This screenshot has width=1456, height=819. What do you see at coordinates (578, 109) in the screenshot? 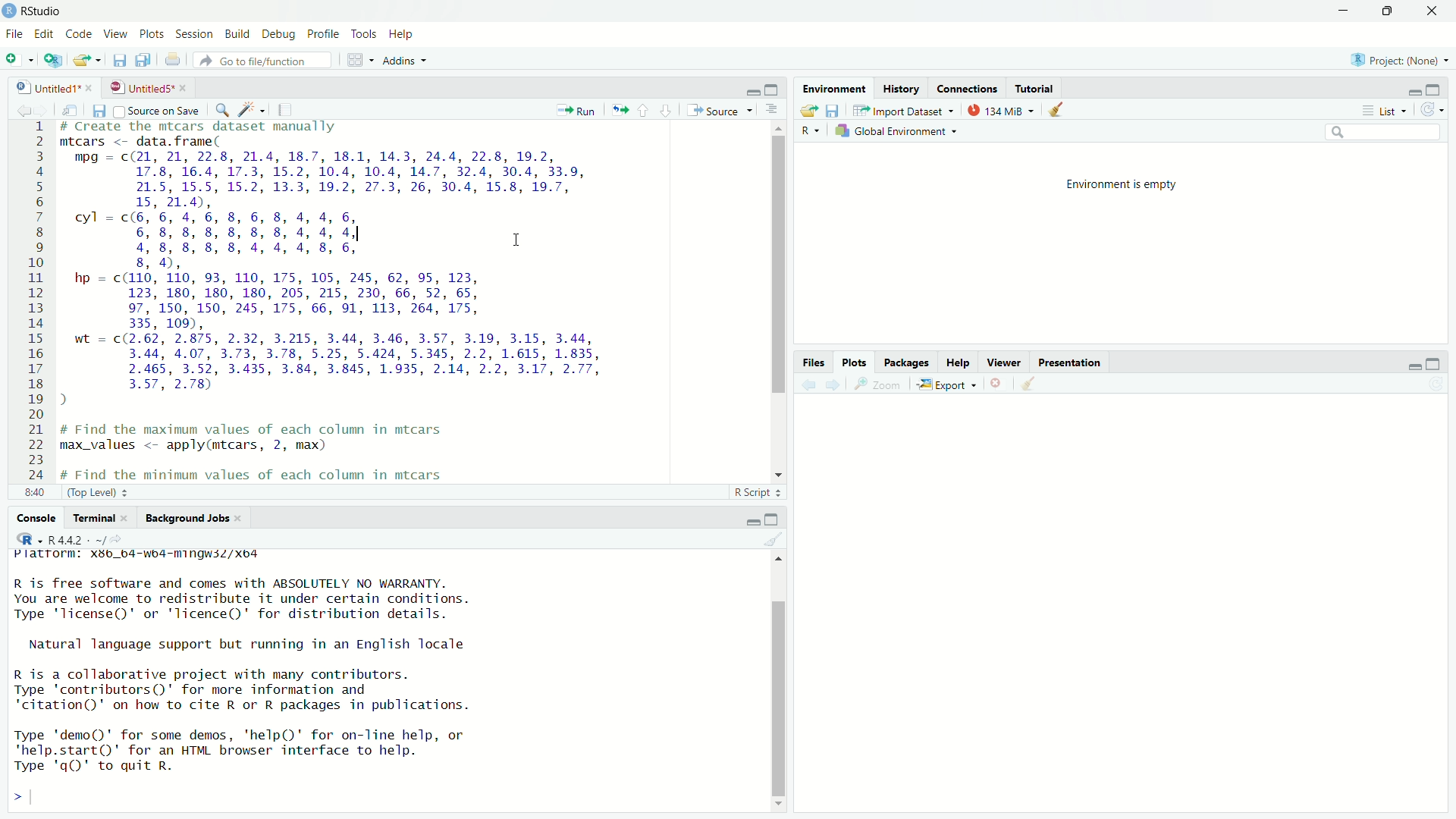
I see `Run` at bounding box center [578, 109].